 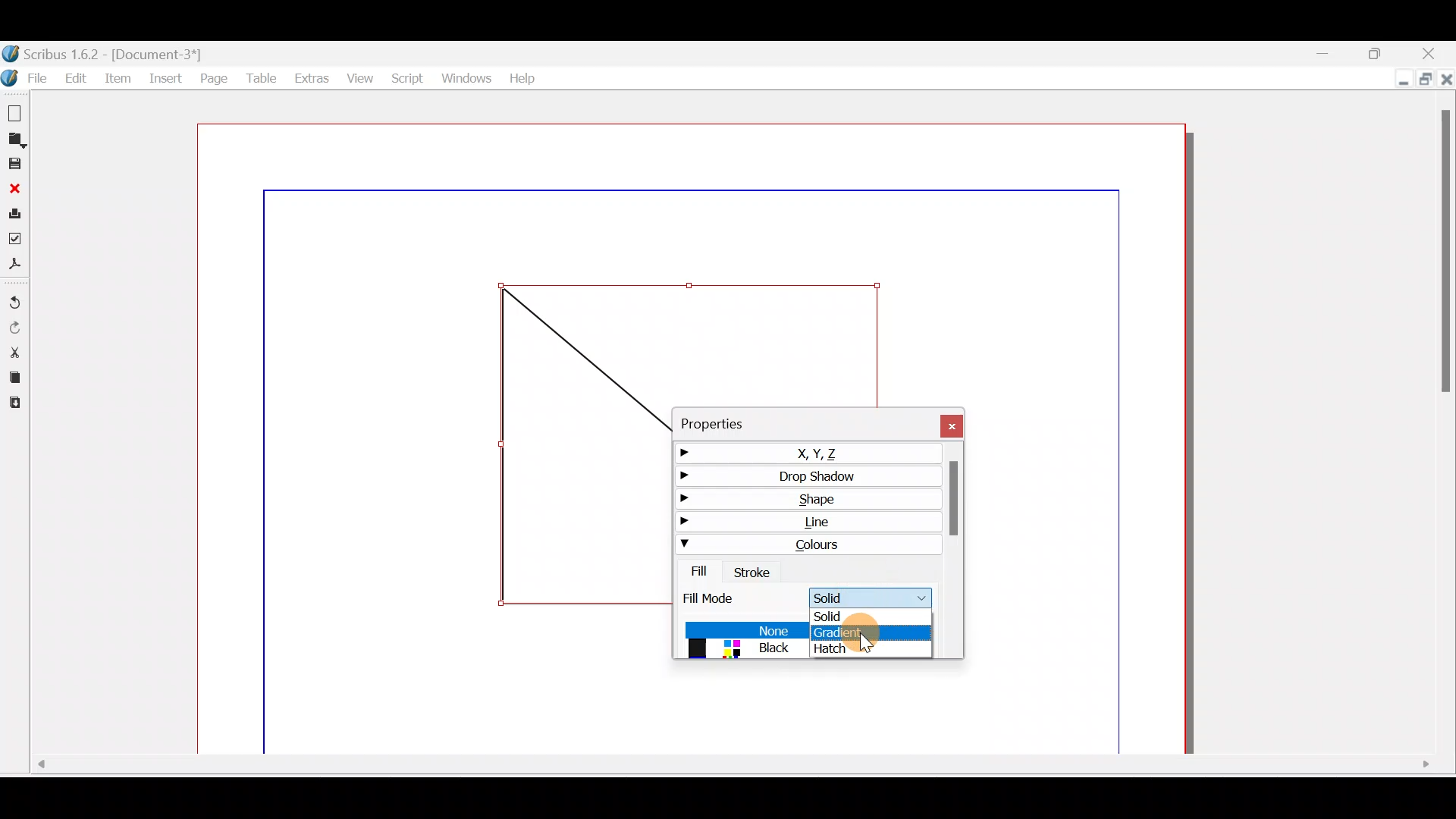 I want to click on Scroll bar, so click(x=1446, y=427).